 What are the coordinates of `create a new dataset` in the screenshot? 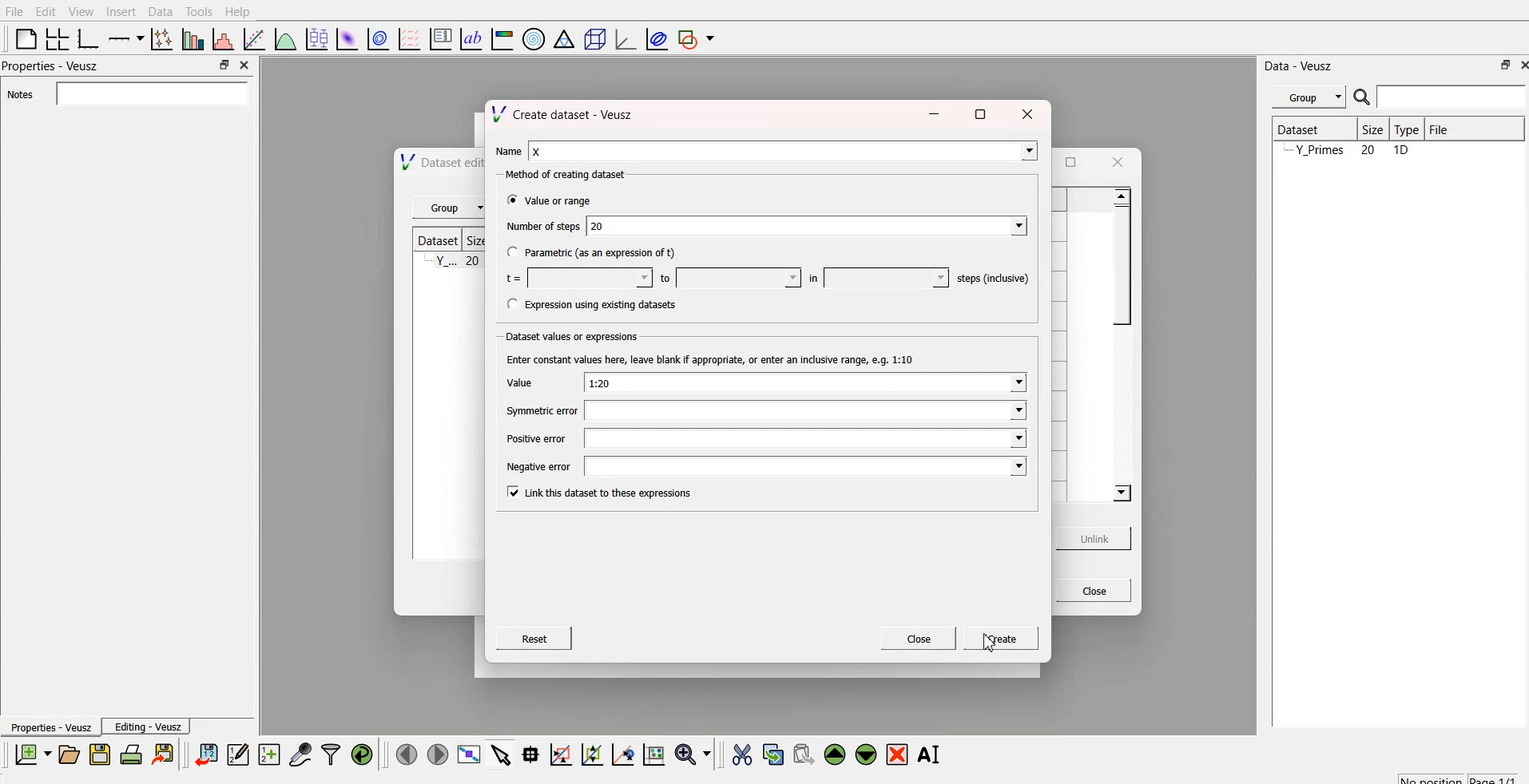 It's located at (269, 756).